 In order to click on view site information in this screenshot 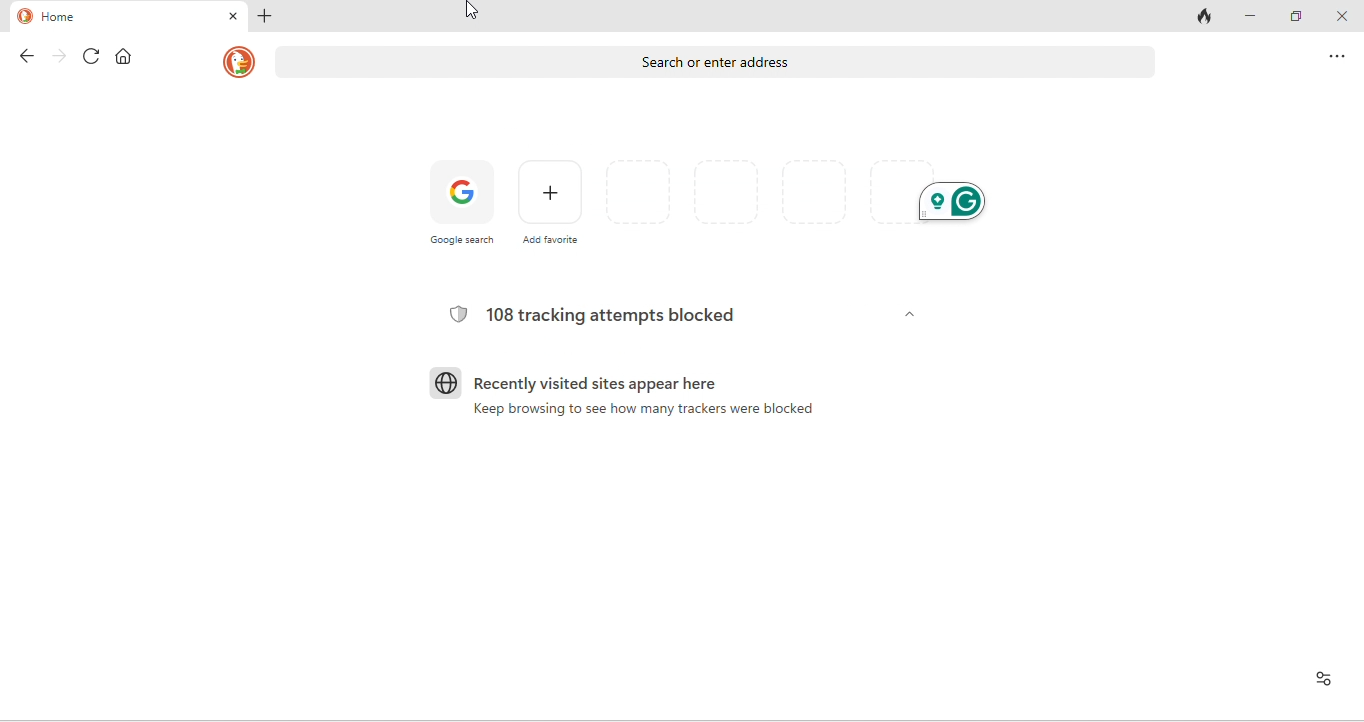, I will do `click(1319, 680)`.